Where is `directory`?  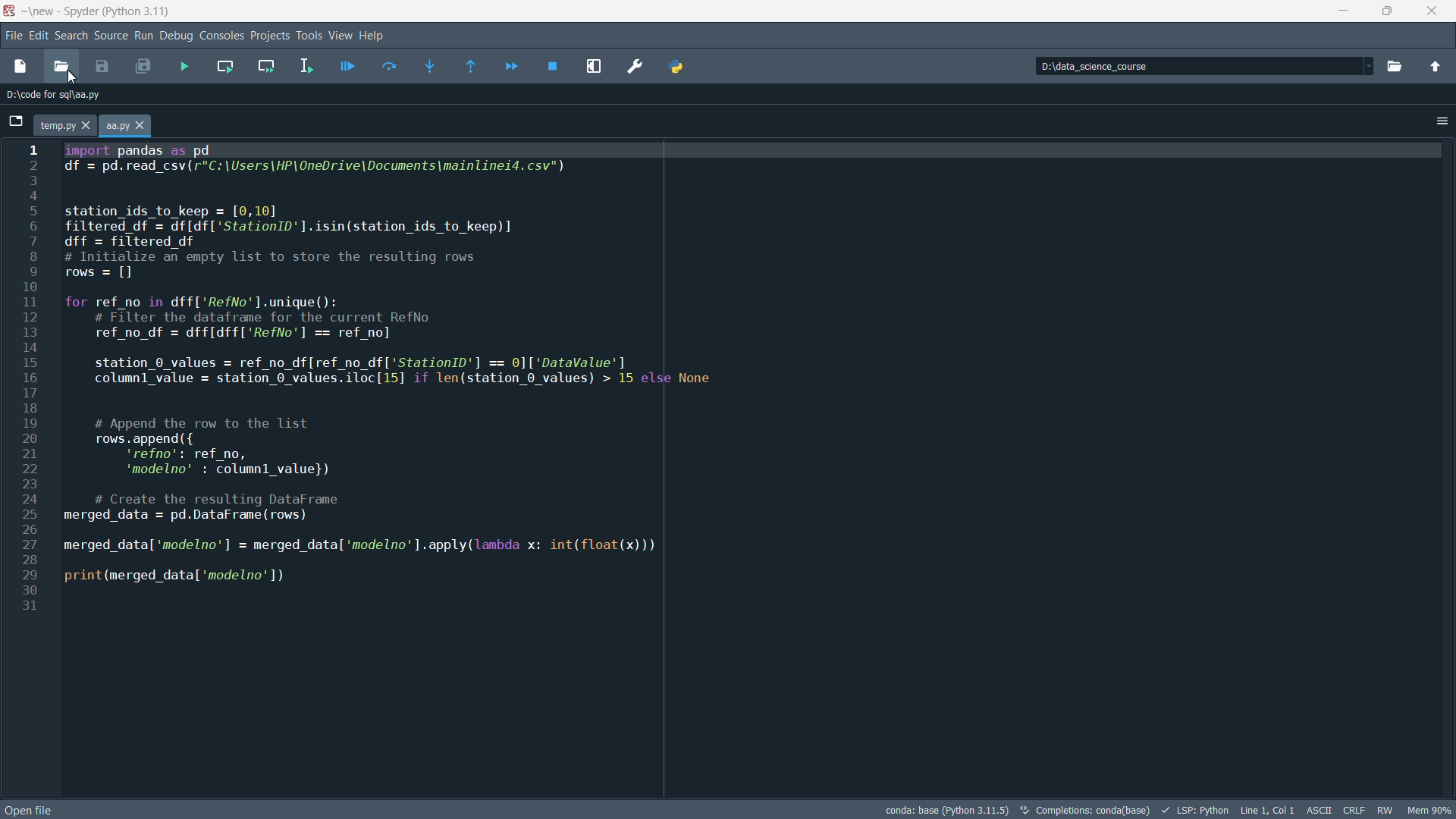 directory is located at coordinates (1130, 65).